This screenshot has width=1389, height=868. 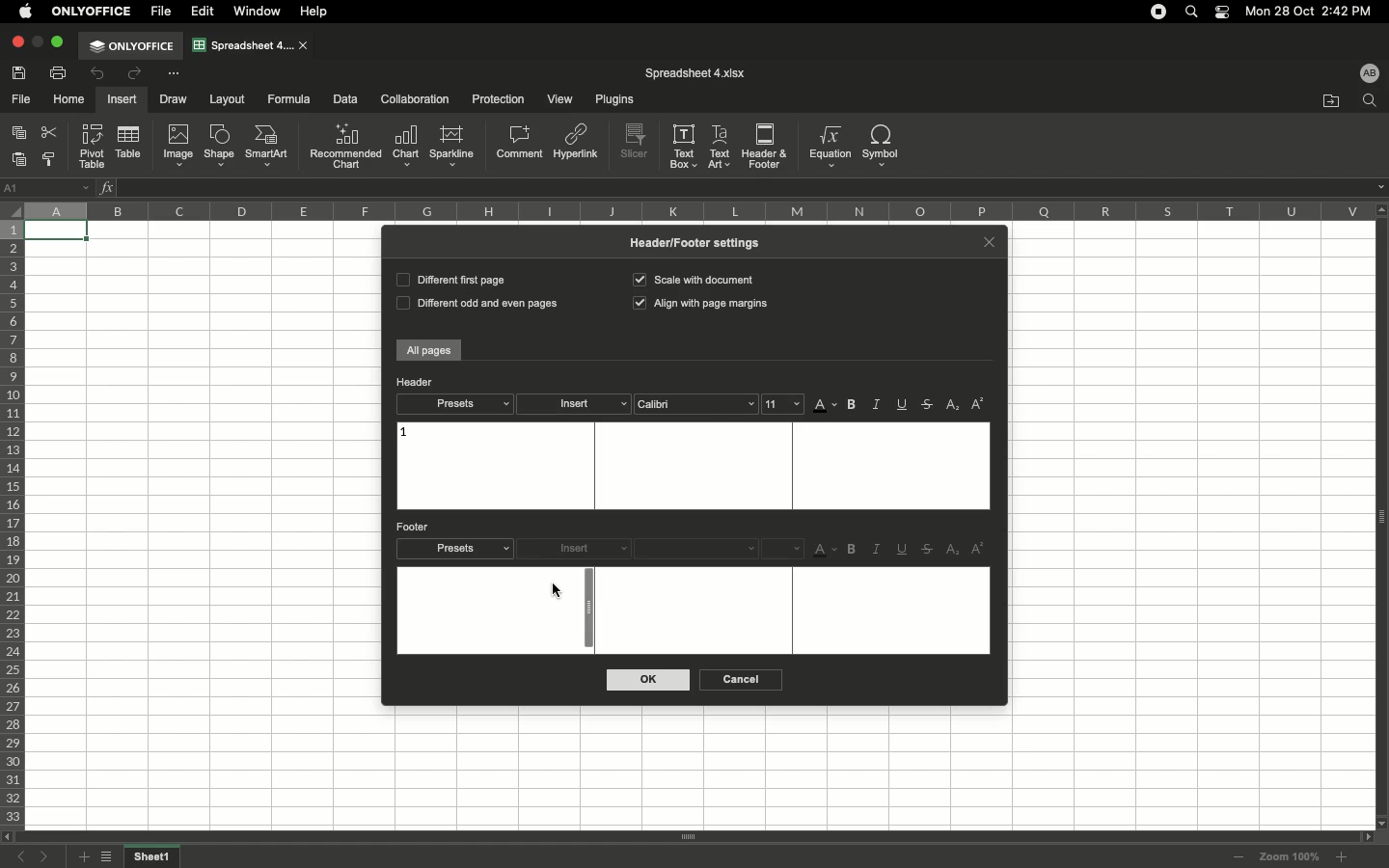 I want to click on Name manager, so click(x=48, y=186).